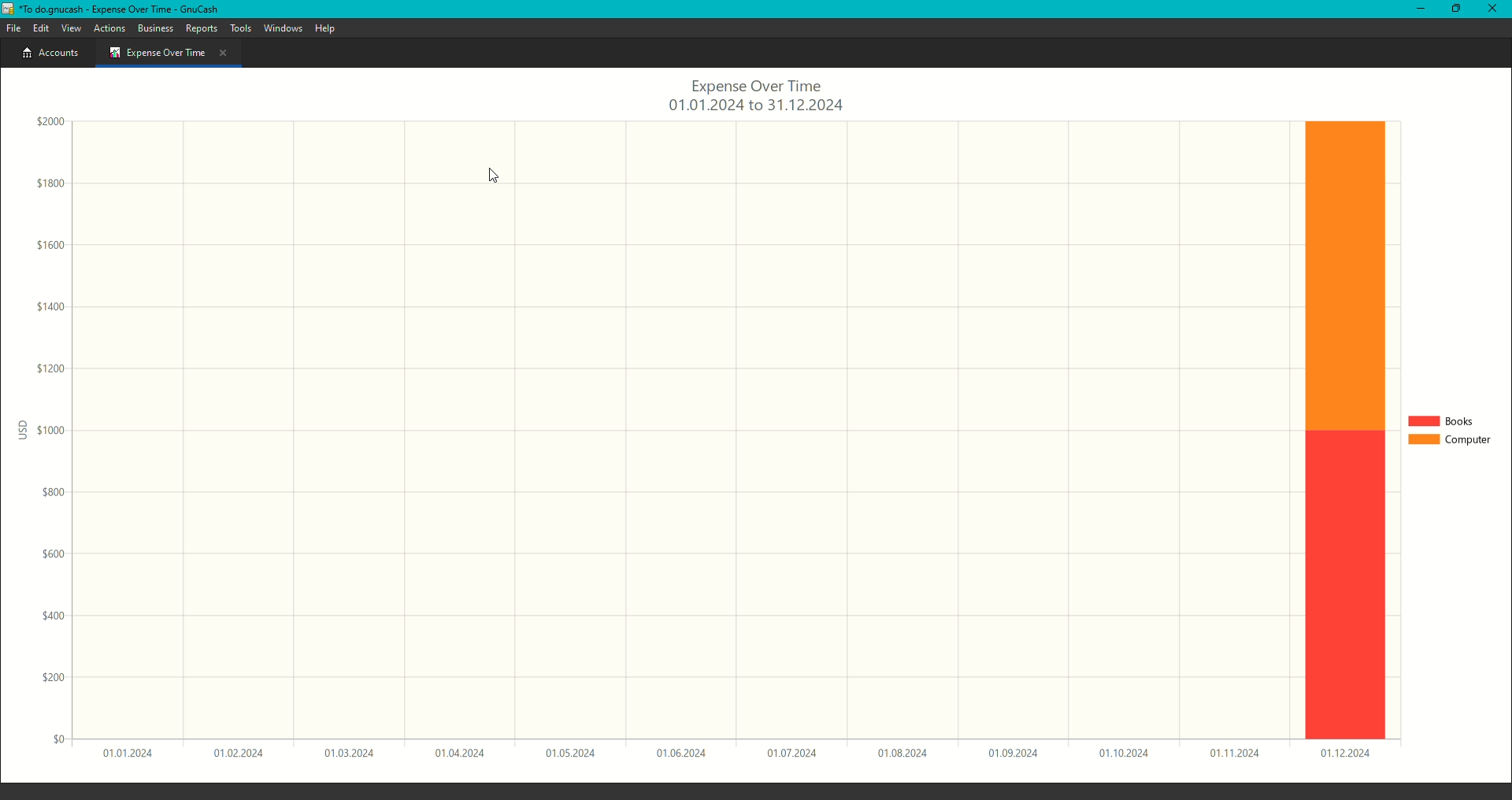 This screenshot has width=1512, height=800. Describe the element at coordinates (1342, 431) in the screenshot. I see `Bar Graph` at that location.